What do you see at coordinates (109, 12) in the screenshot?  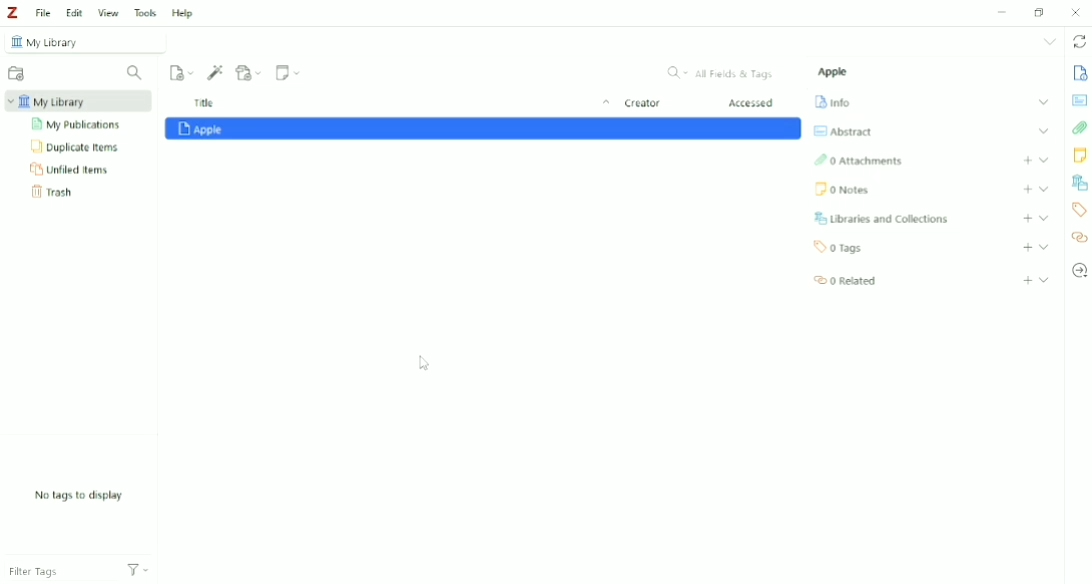 I see `View` at bounding box center [109, 12].